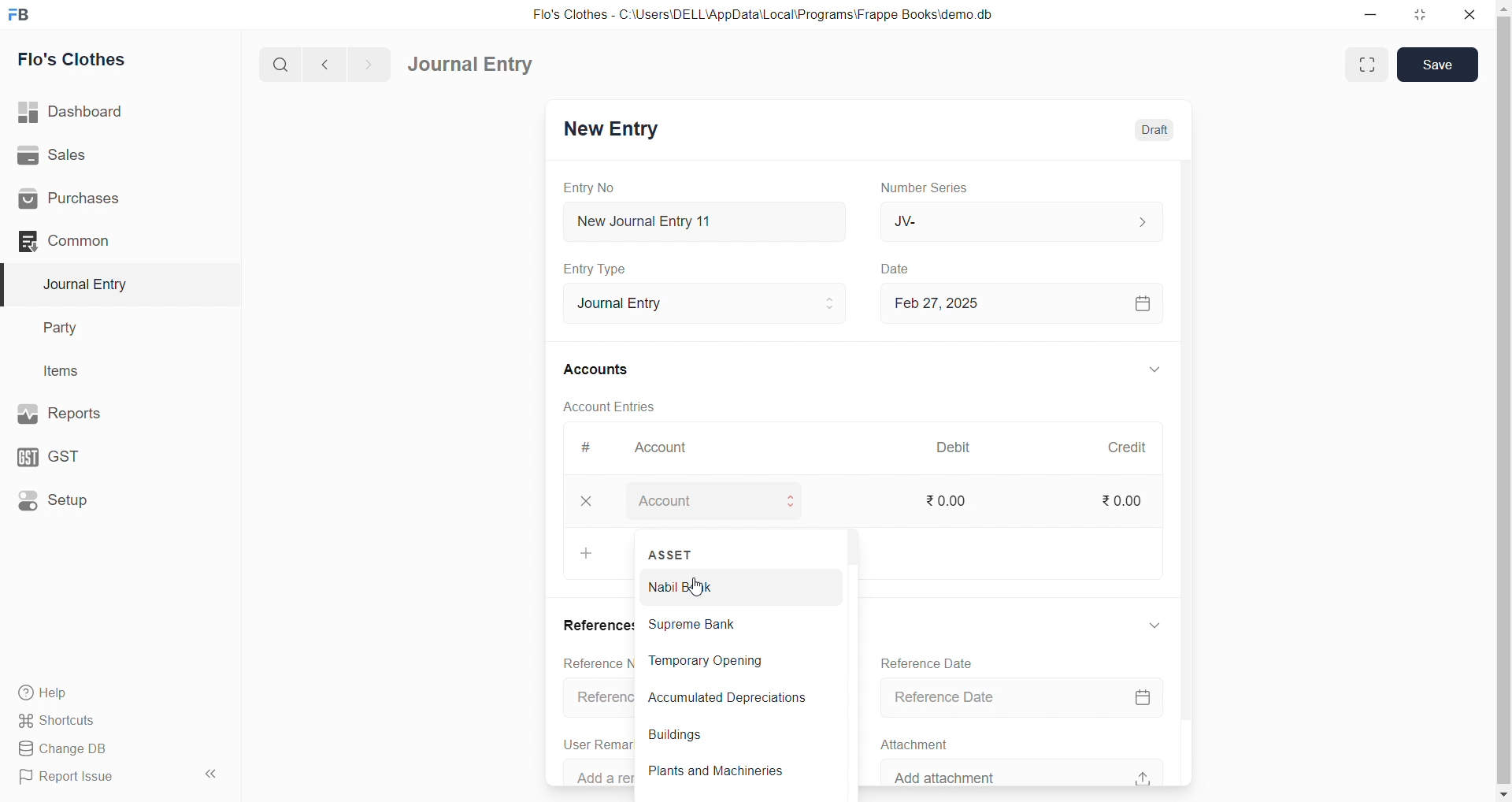  I want to click on Supreme Bank, so click(724, 625).